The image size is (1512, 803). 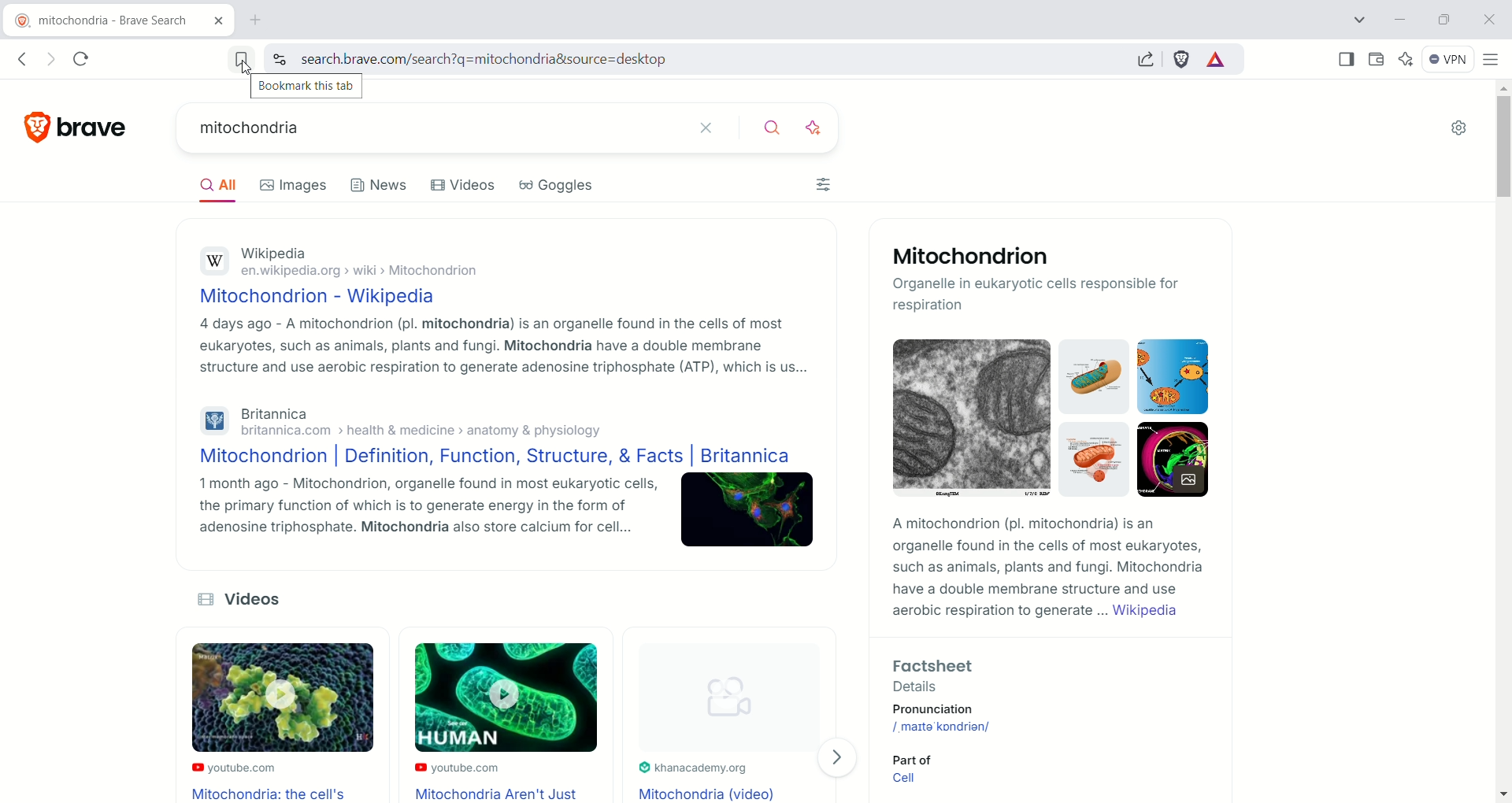 I want to click on close tab, so click(x=218, y=22).